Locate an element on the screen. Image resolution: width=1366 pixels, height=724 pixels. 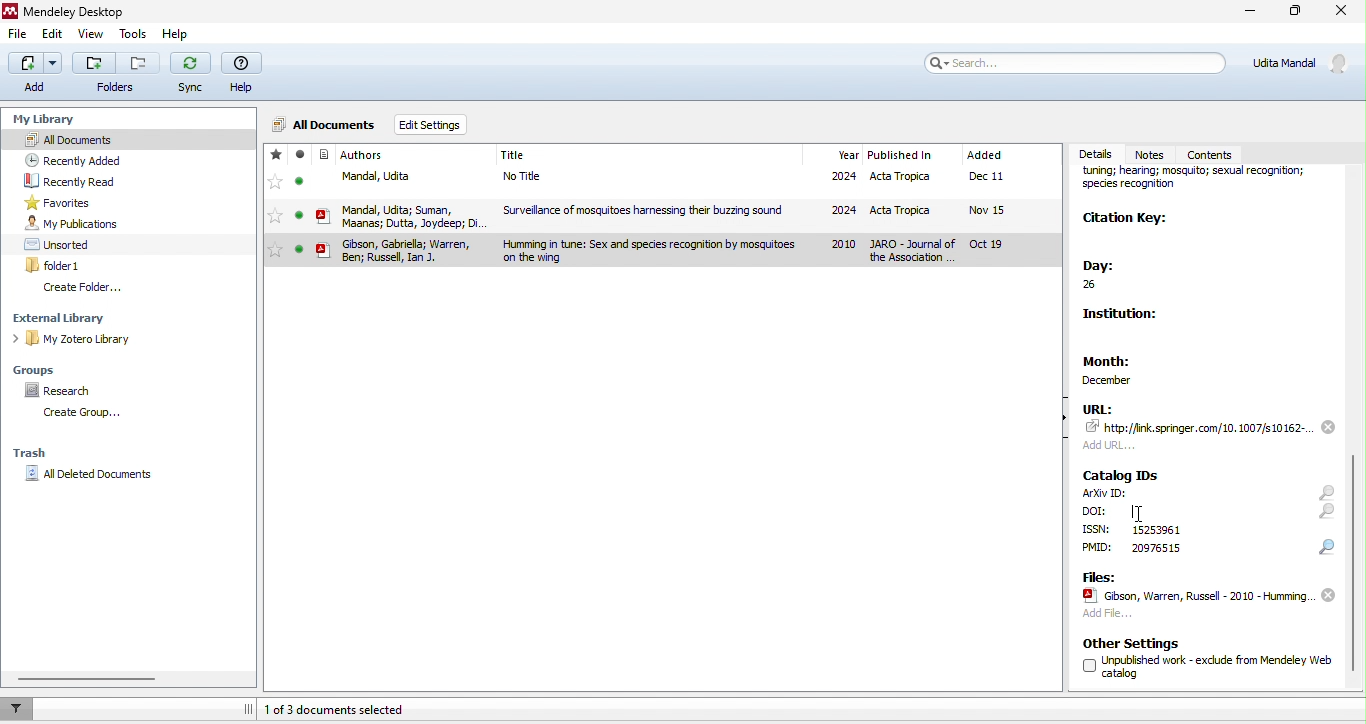
 is located at coordinates (116, 72).